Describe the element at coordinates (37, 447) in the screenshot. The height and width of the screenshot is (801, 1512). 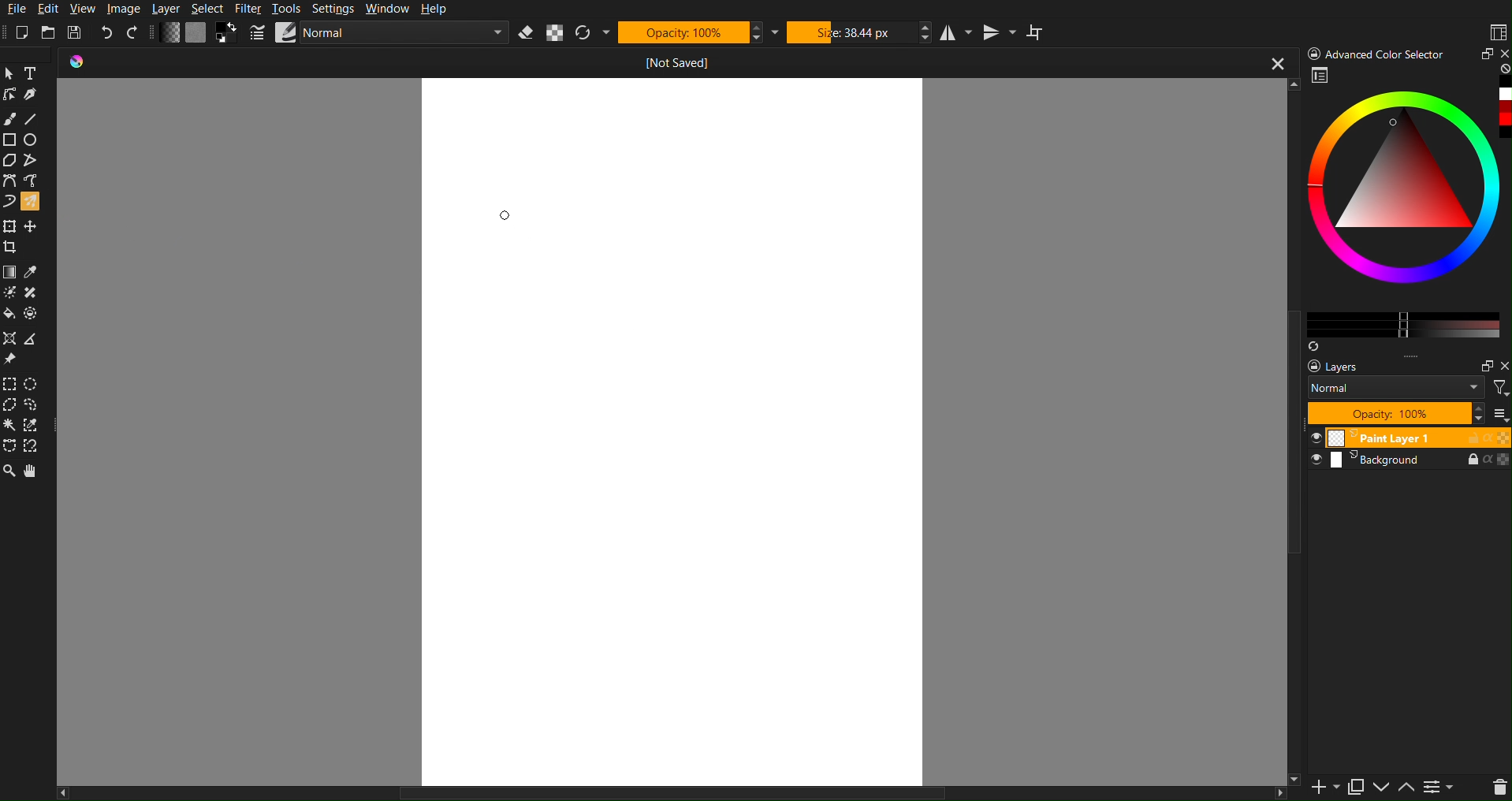
I see `Magnetic Selection Tool` at that location.